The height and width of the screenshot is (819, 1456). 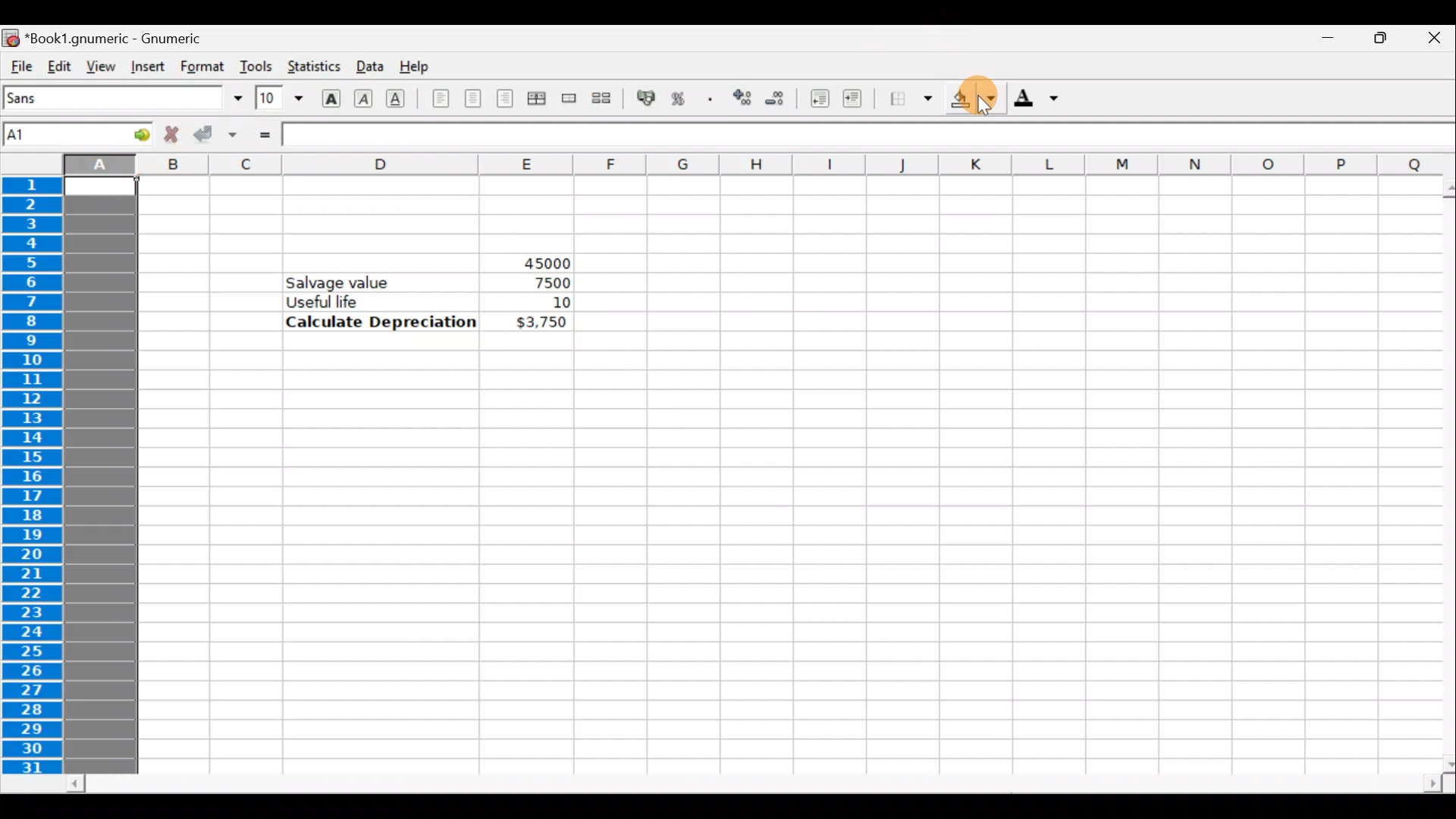 What do you see at coordinates (11, 37) in the screenshot?
I see `Gnumeric logo` at bounding box center [11, 37].